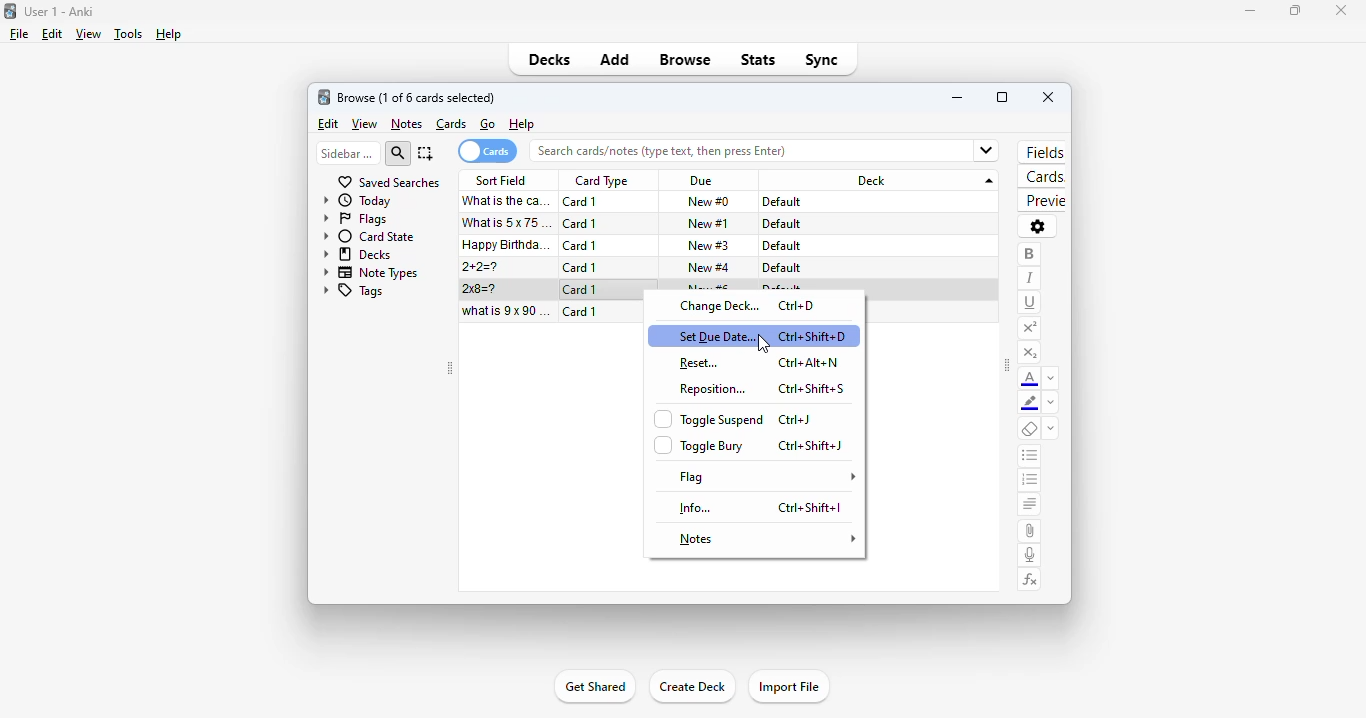 Image resolution: width=1366 pixels, height=718 pixels. What do you see at coordinates (1042, 153) in the screenshot?
I see `fields` at bounding box center [1042, 153].